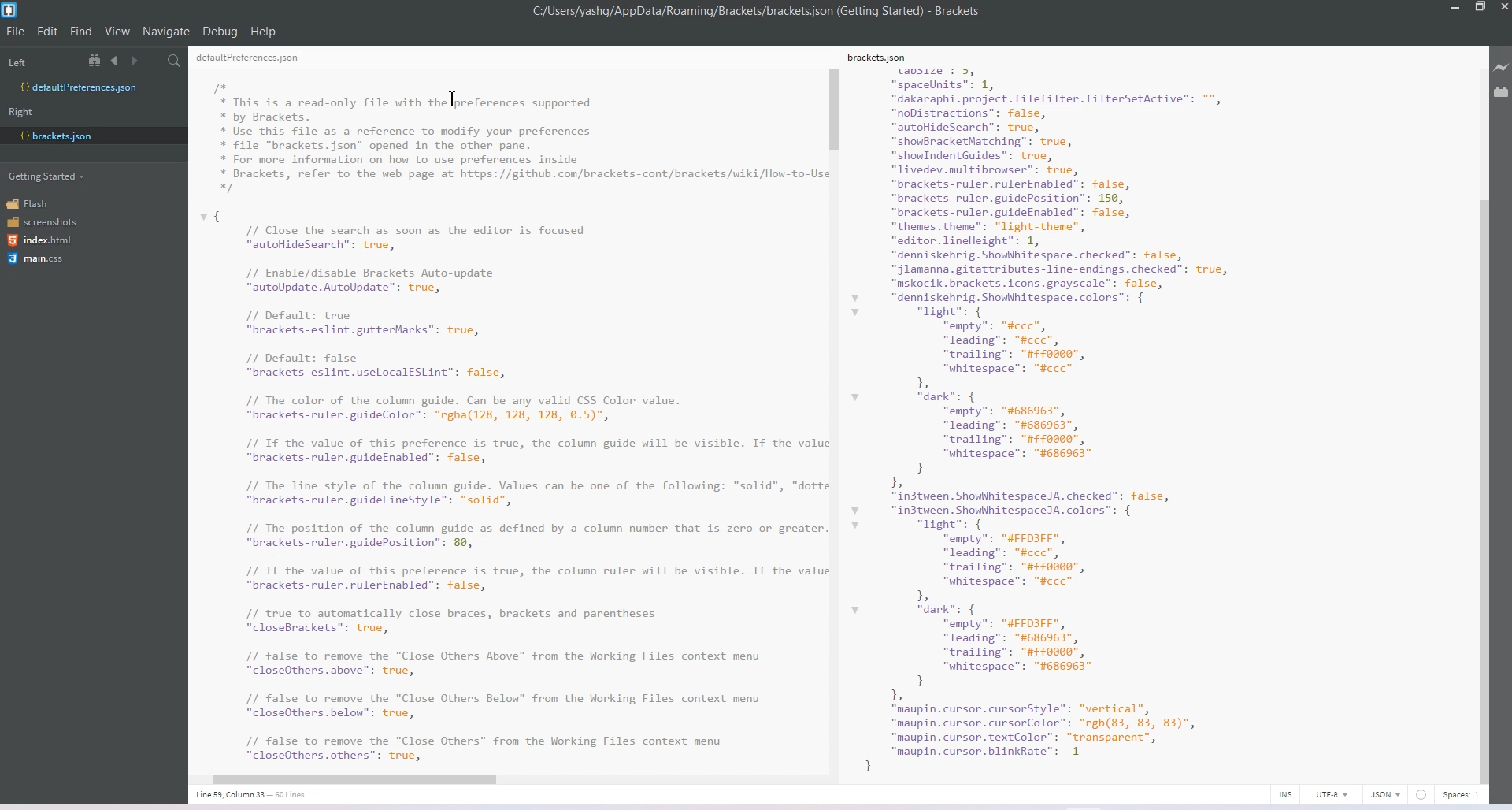  What do you see at coordinates (48, 175) in the screenshot?
I see `Getting Started` at bounding box center [48, 175].